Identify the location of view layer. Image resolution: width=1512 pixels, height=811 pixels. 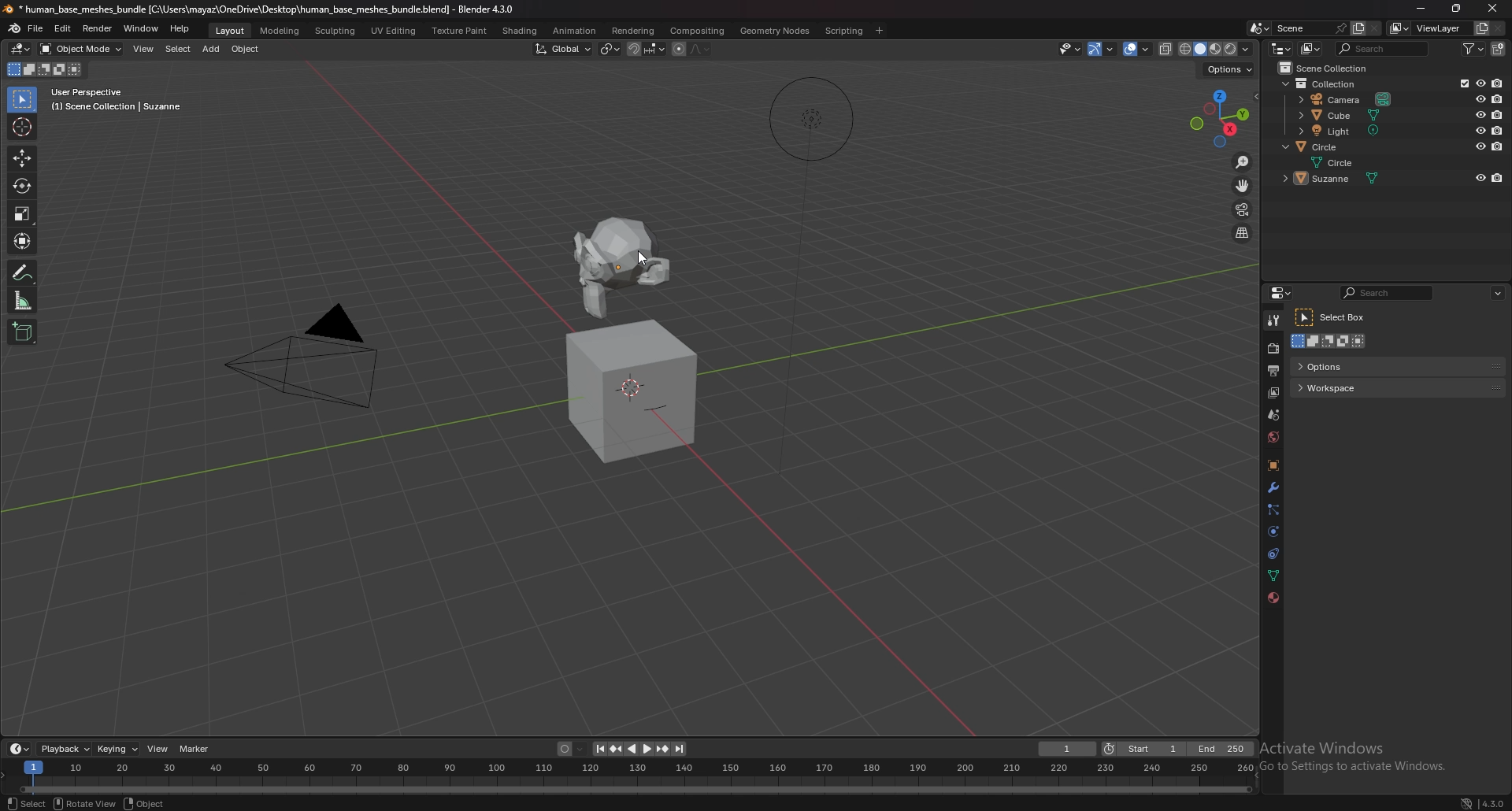
(1273, 394).